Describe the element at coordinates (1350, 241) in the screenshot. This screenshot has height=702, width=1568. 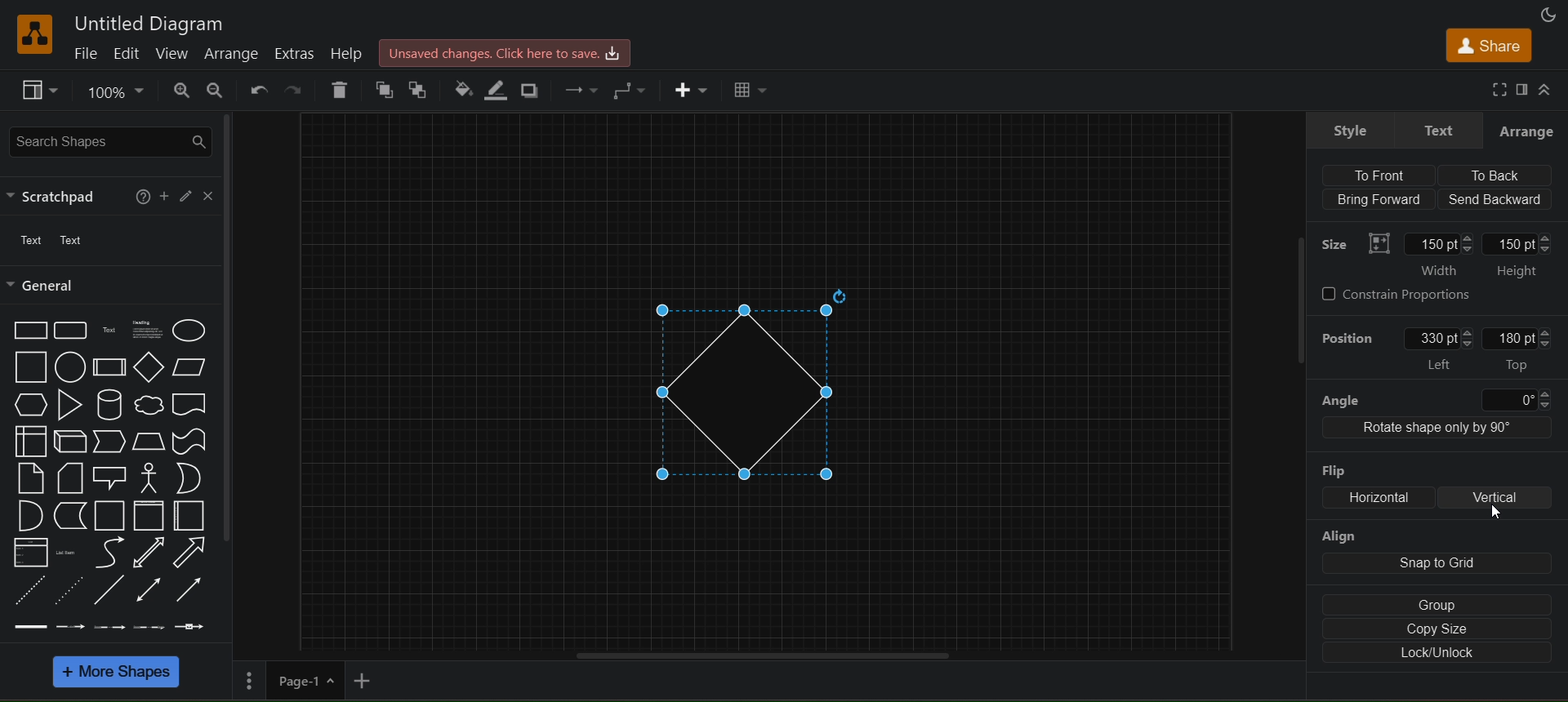
I see `size` at that location.